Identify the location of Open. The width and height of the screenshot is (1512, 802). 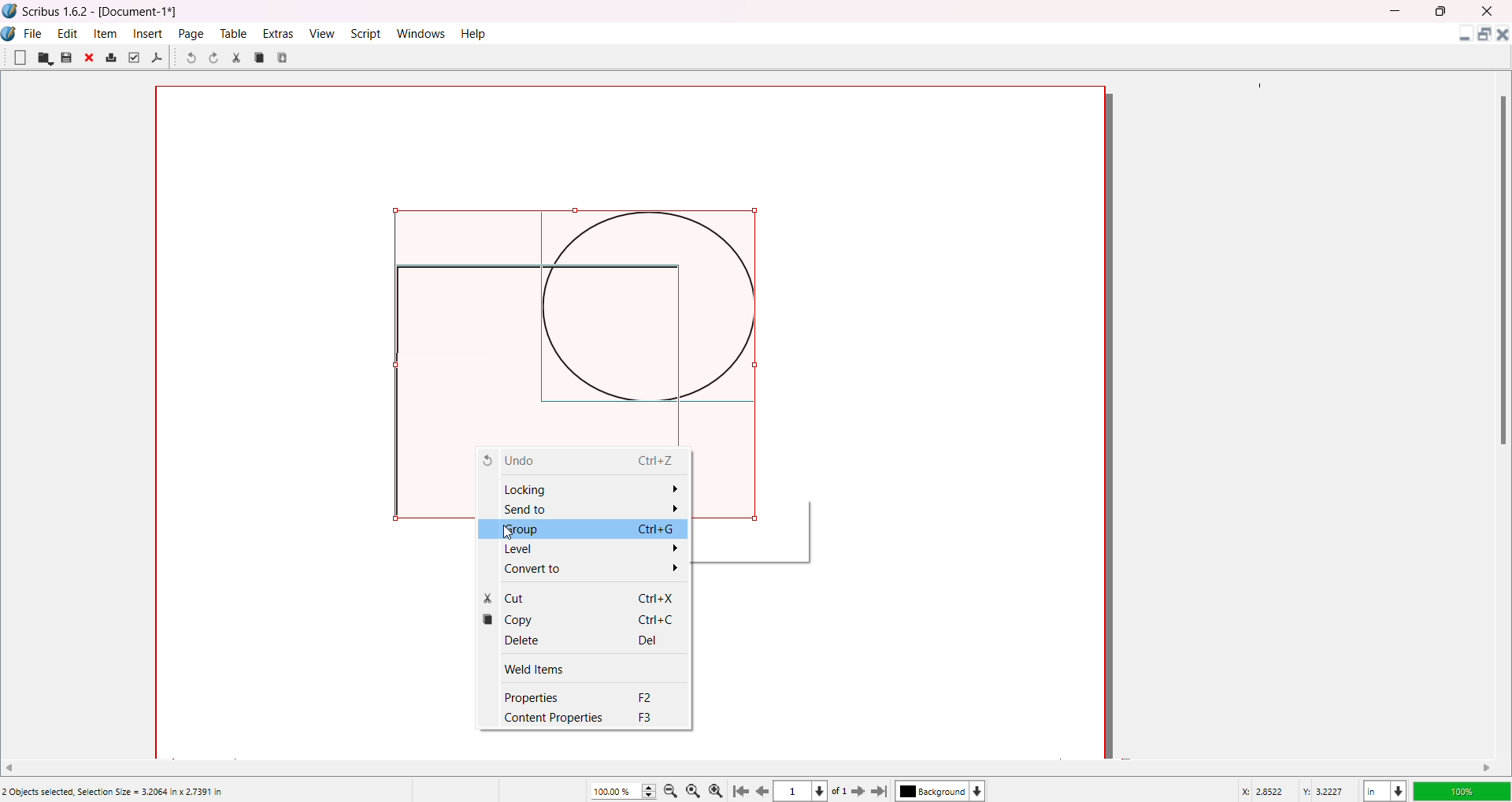
(45, 58).